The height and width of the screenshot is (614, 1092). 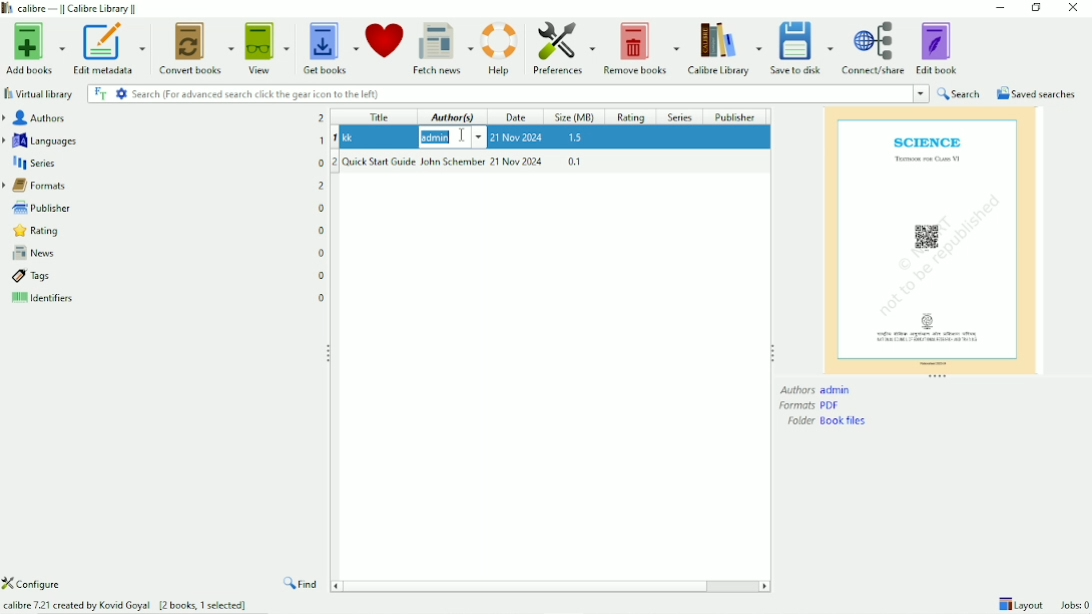 What do you see at coordinates (162, 186) in the screenshot?
I see `Formats` at bounding box center [162, 186].